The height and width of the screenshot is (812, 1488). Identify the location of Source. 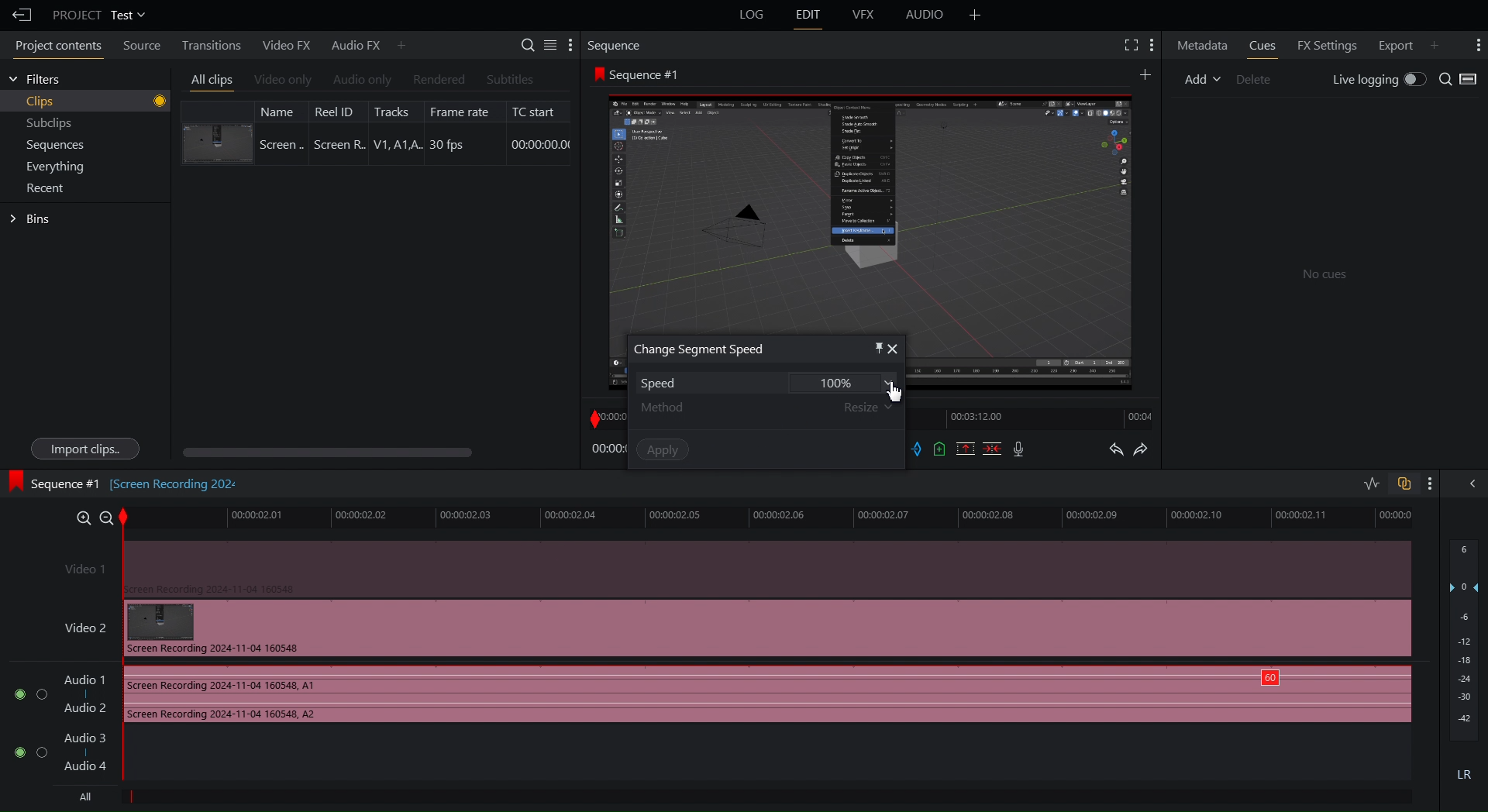
(138, 47).